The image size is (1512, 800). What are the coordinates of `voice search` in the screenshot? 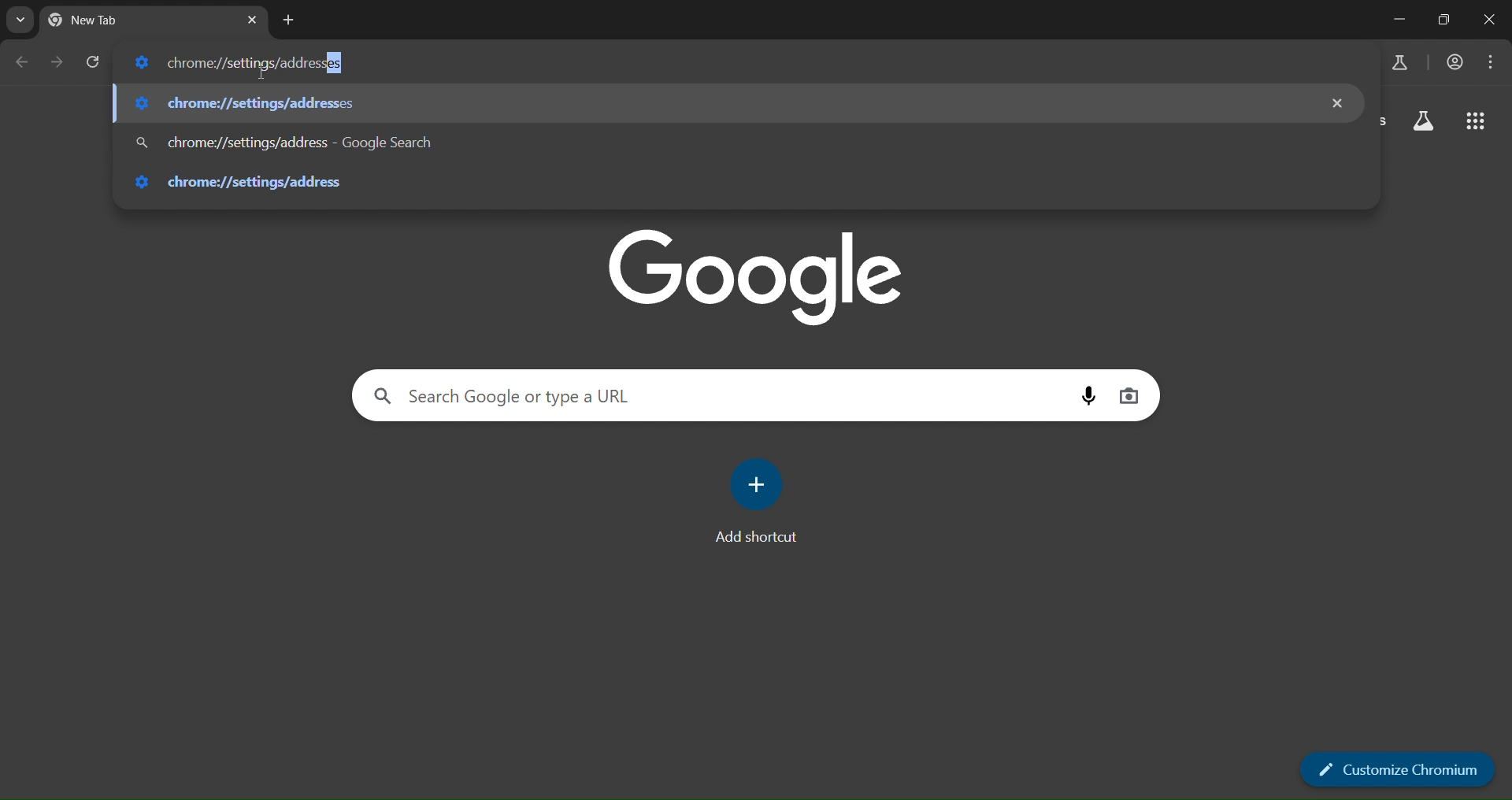 It's located at (1085, 395).